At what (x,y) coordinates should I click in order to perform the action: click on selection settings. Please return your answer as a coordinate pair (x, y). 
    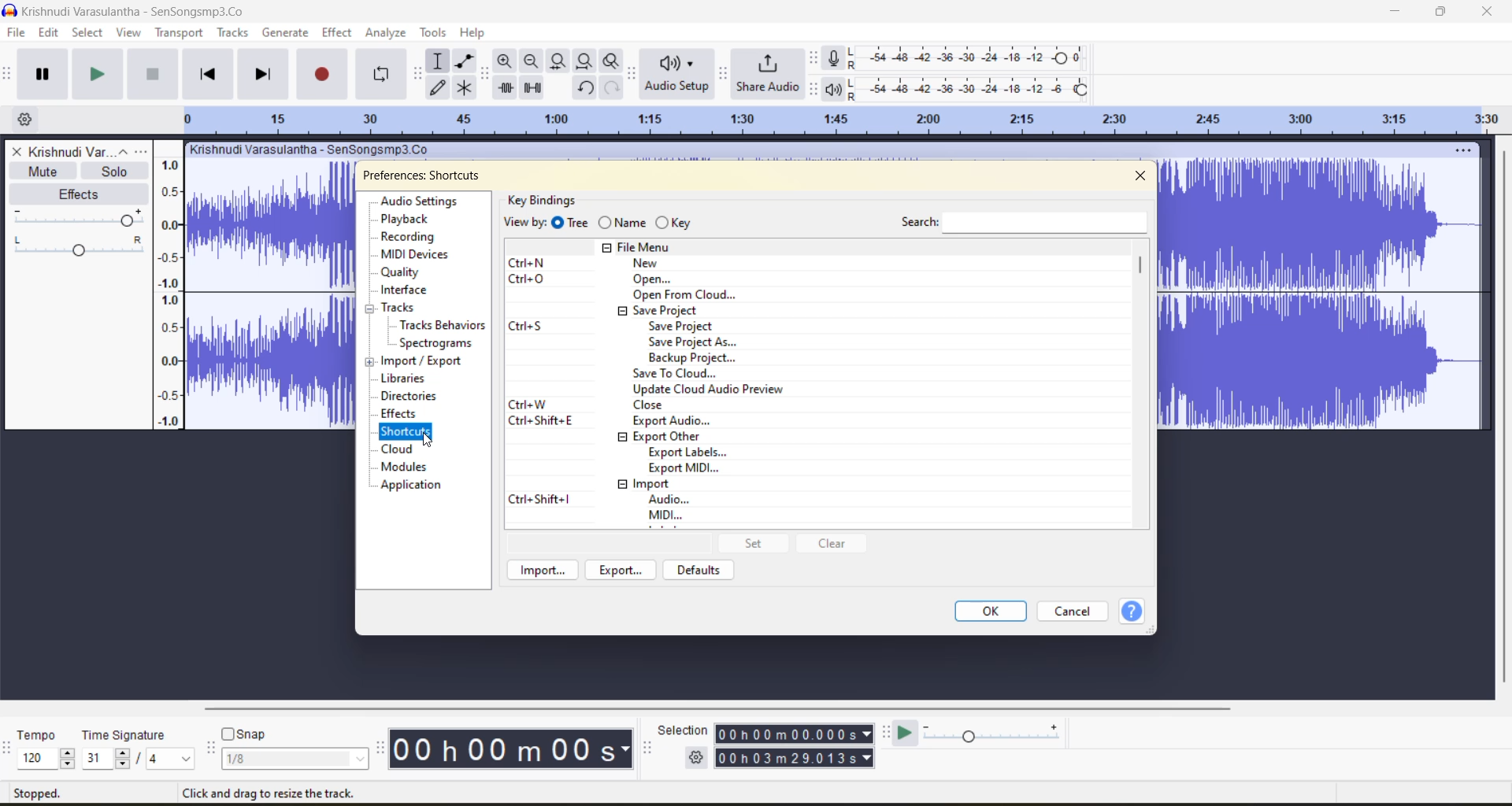
    Looking at the image, I should click on (697, 757).